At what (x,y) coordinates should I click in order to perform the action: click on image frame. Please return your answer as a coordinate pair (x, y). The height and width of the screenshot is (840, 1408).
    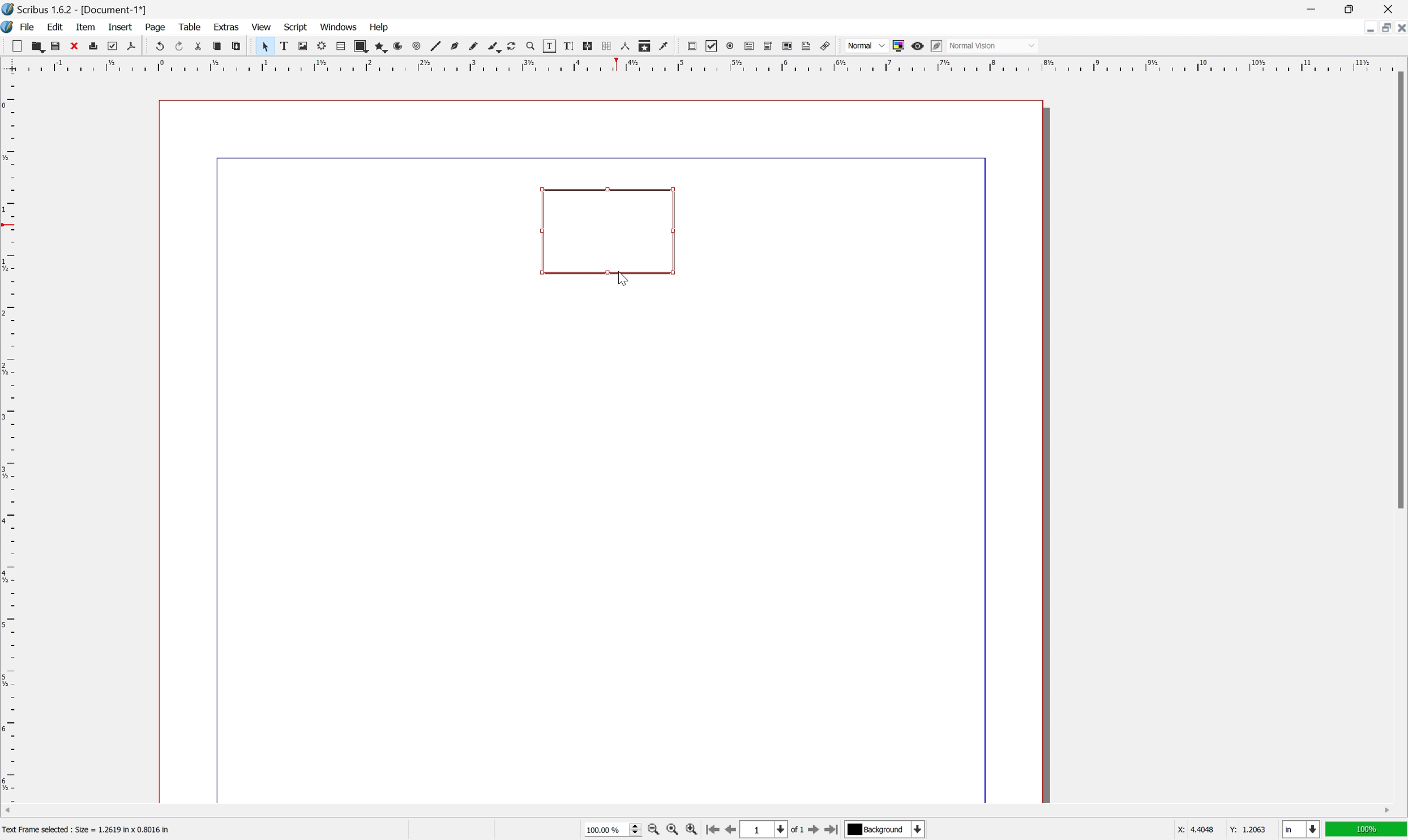
    Looking at the image, I should click on (303, 46).